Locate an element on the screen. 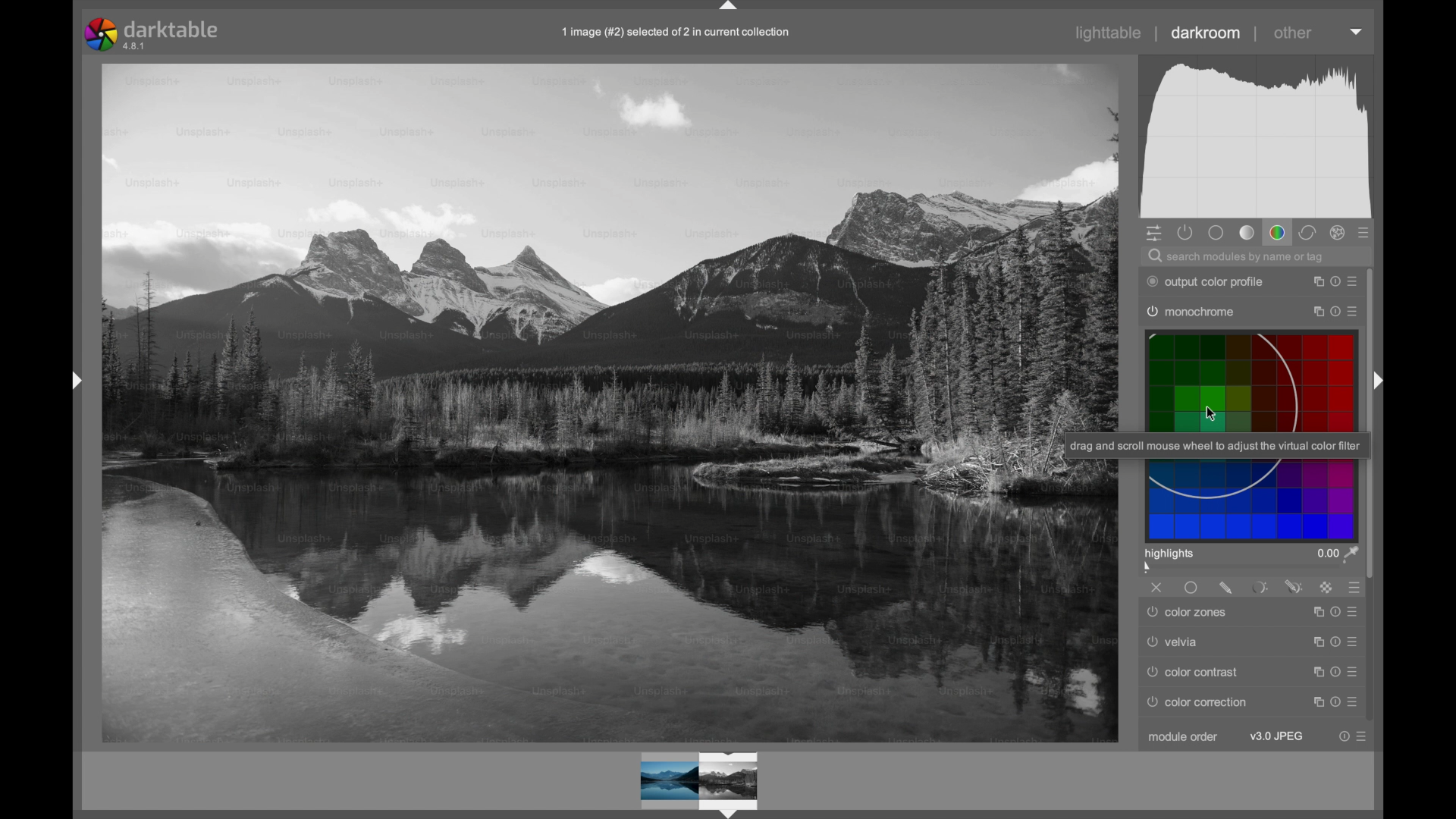  output color profile is located at coordinates (1206, 282).